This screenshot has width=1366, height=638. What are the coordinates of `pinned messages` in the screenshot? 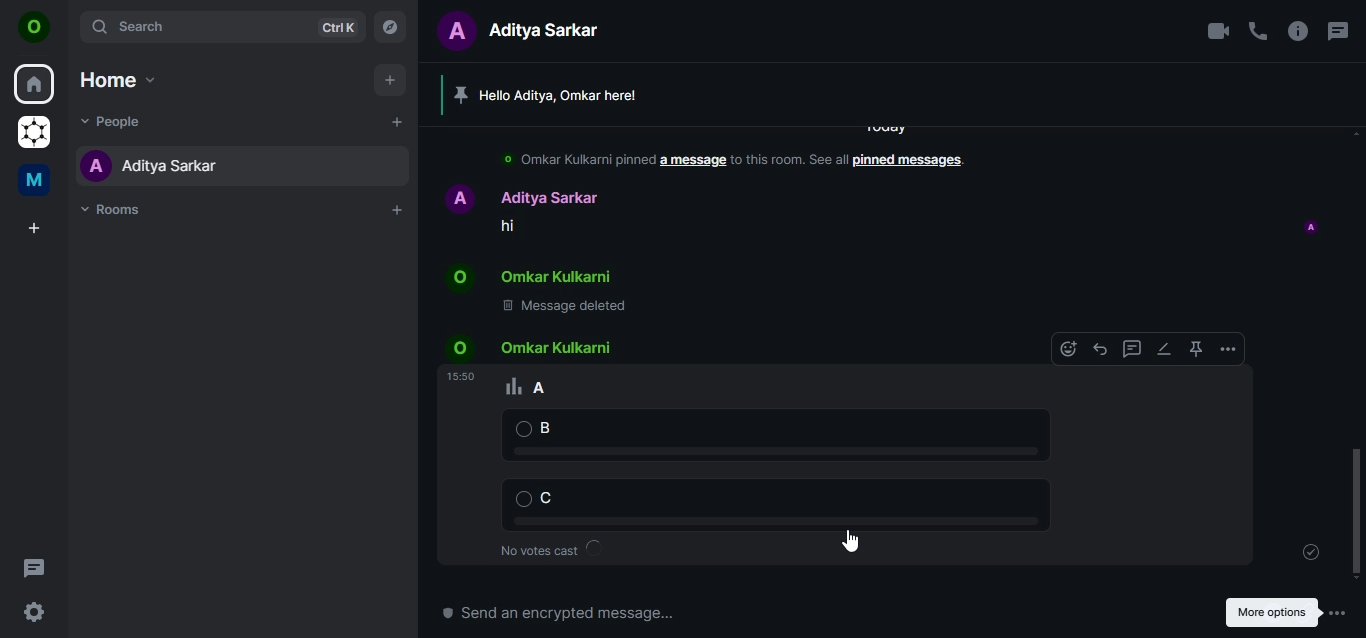 It's located at (905, 162).